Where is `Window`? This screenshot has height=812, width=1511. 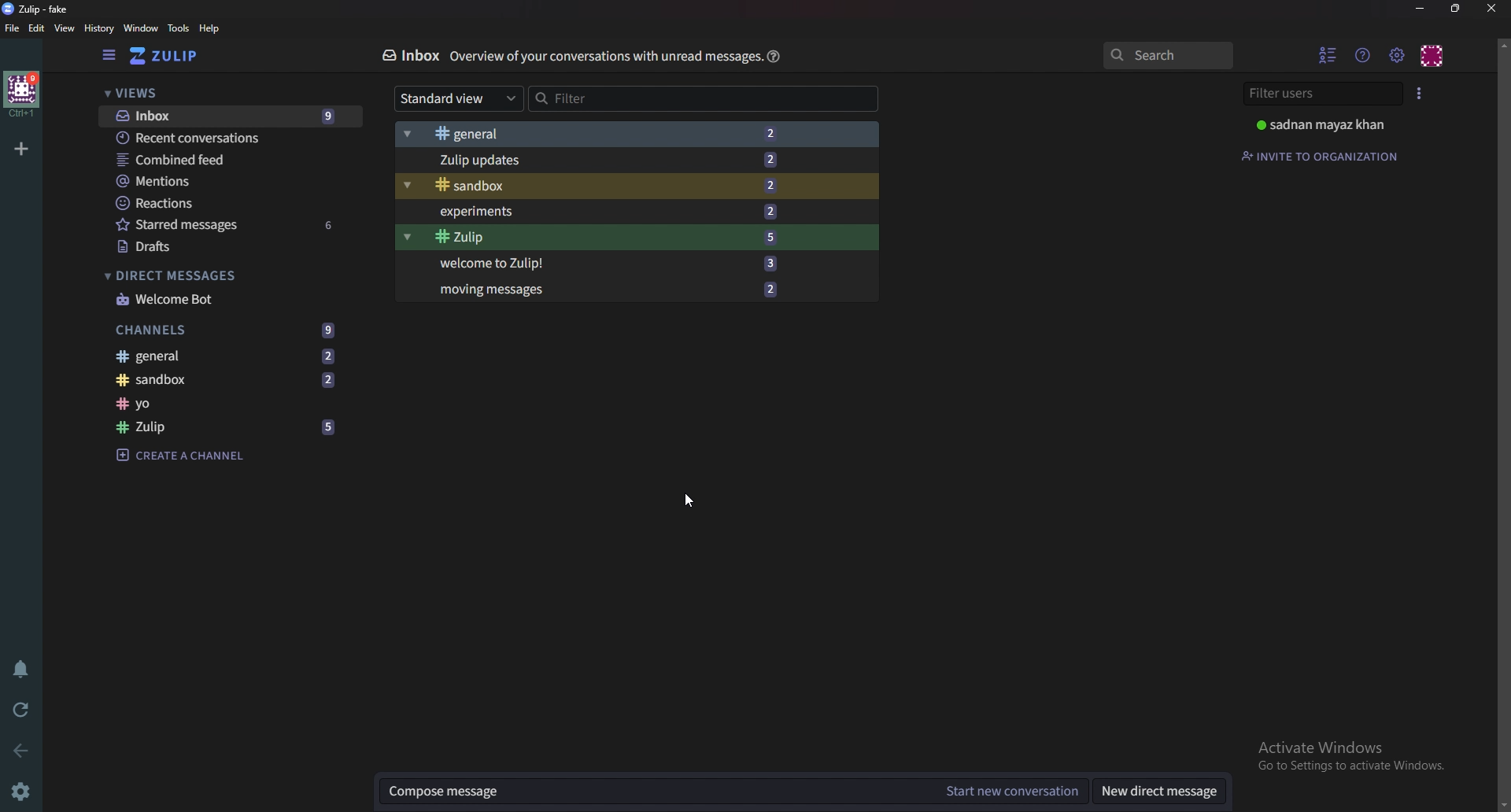
Window is located at coordinates (140, 29).